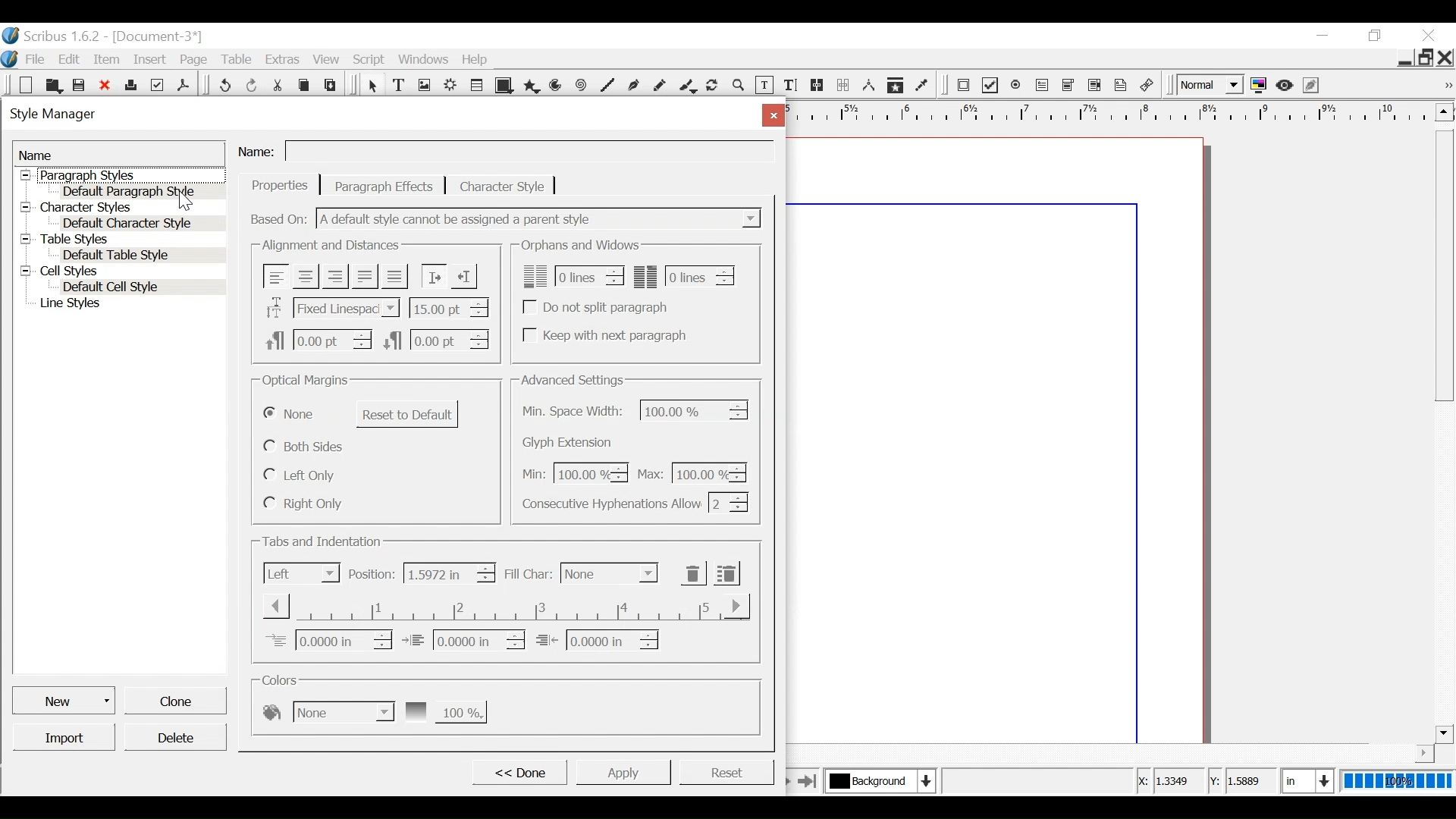  Describe the element at coordinates (65, 699) in the screenshot. I see `New` at that location.